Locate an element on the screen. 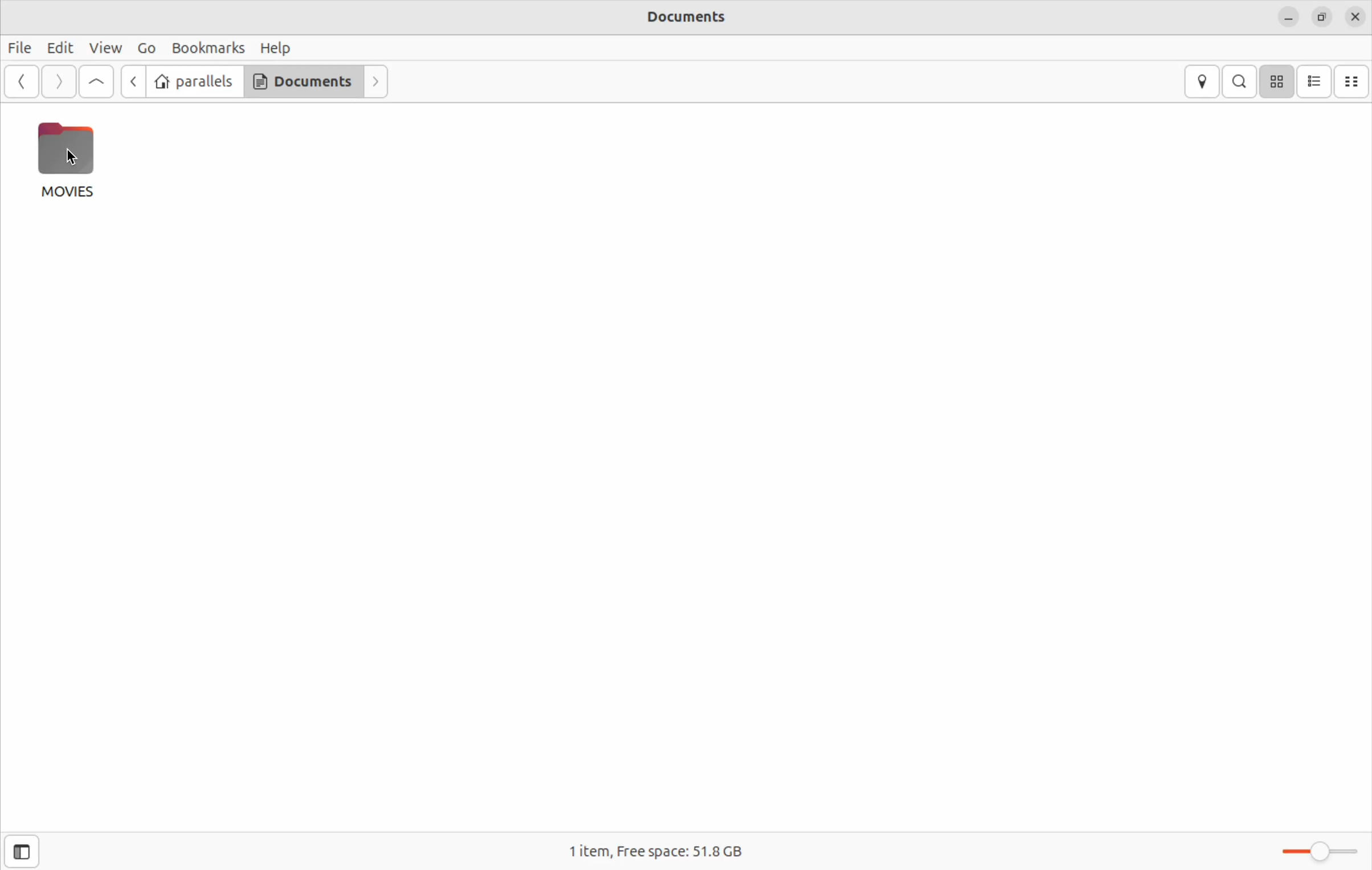 The width and height of the screenshot is (1372, 870). location is located at coordinates (1203, 81).